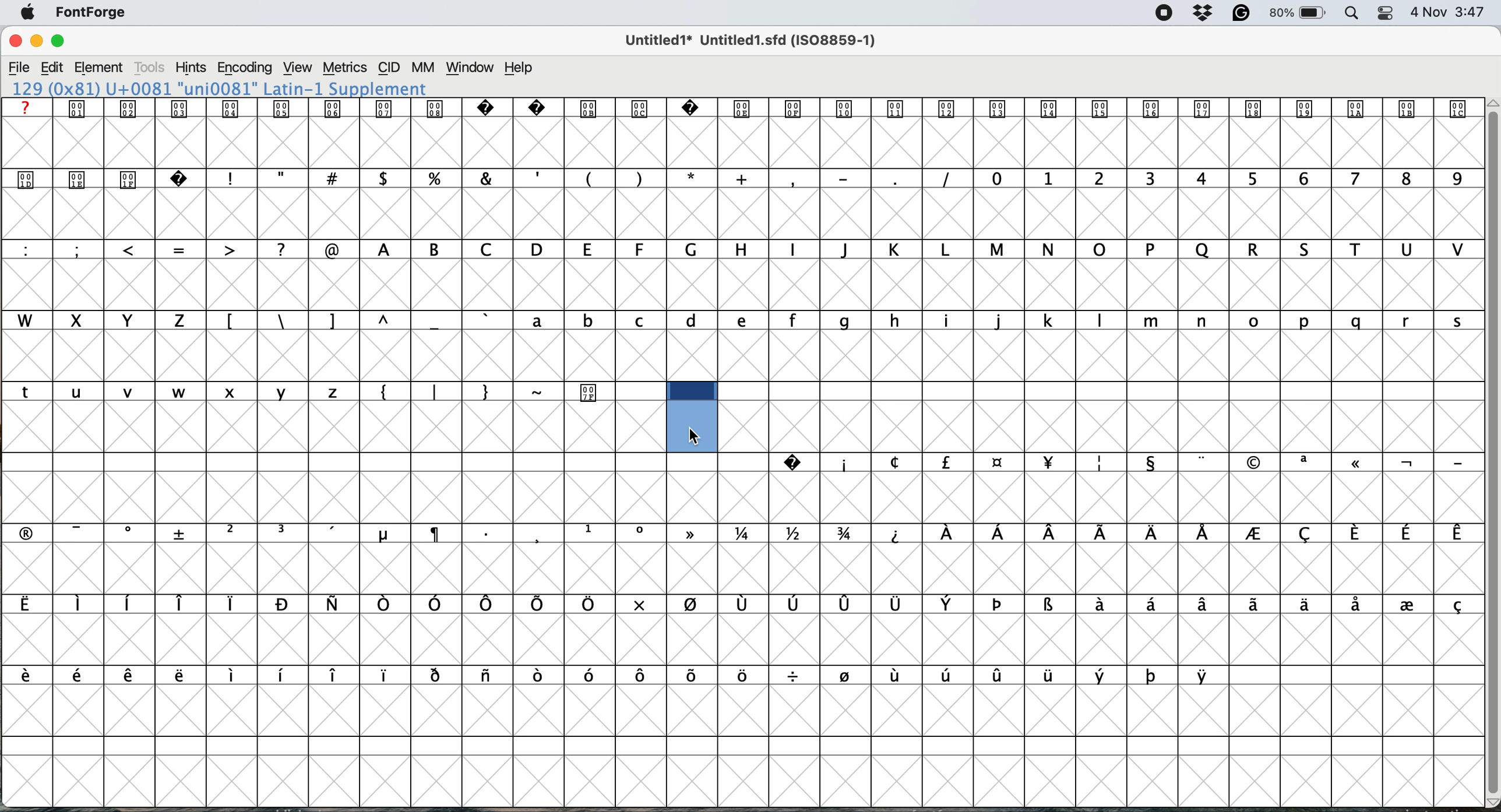 Image resolution: width=1501 pixels, height=812 pixels. What do you see at coordinates (741, 181) in the screenshot?
I see `Uppercase & Numerals` at bounding box center [741, 181].